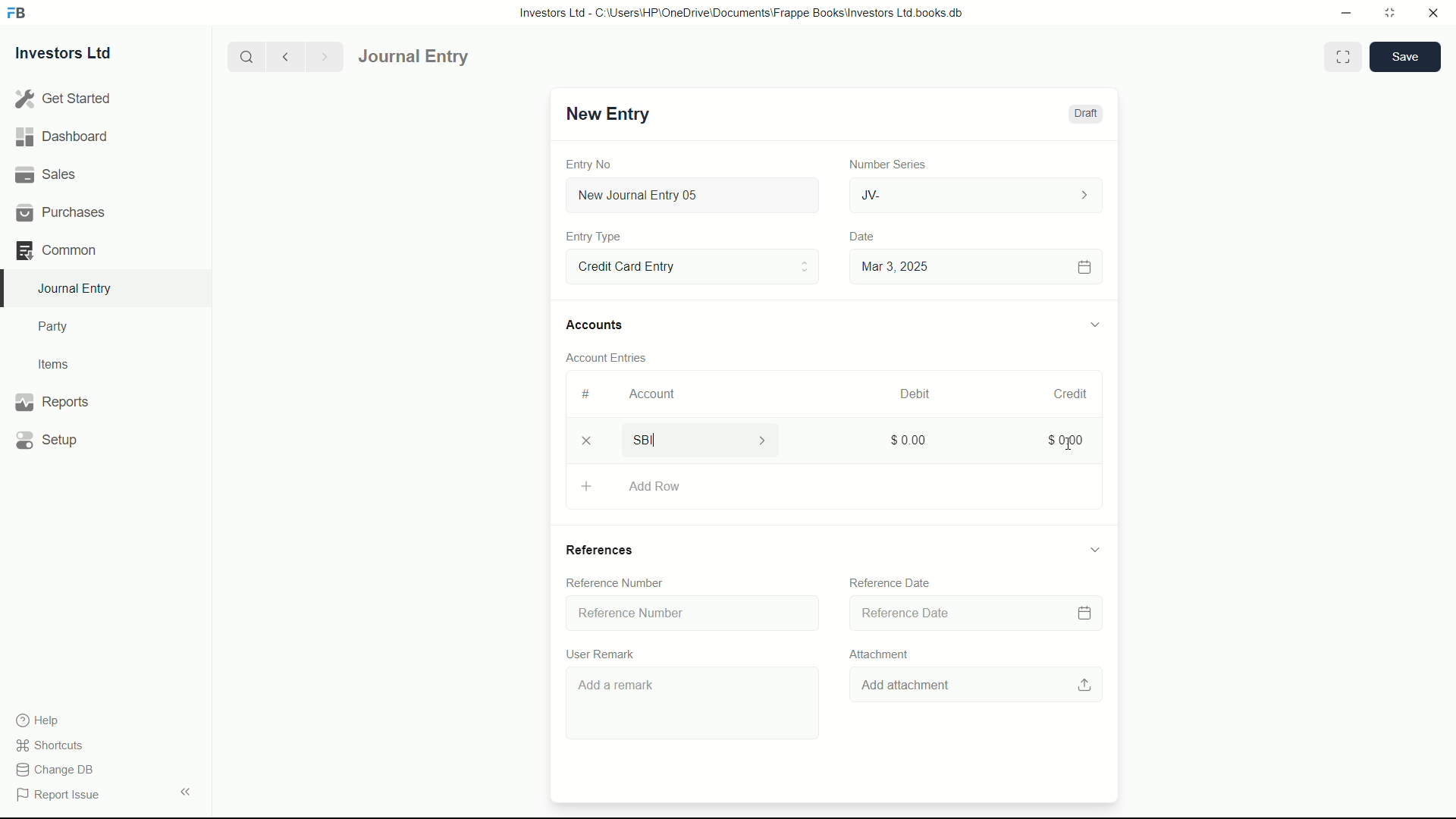 This screenshot has height=819, width=1456. What do you see at coordinates (908, 394) in the screenshot?
I see `Debit` at bounding box center [908, 394].